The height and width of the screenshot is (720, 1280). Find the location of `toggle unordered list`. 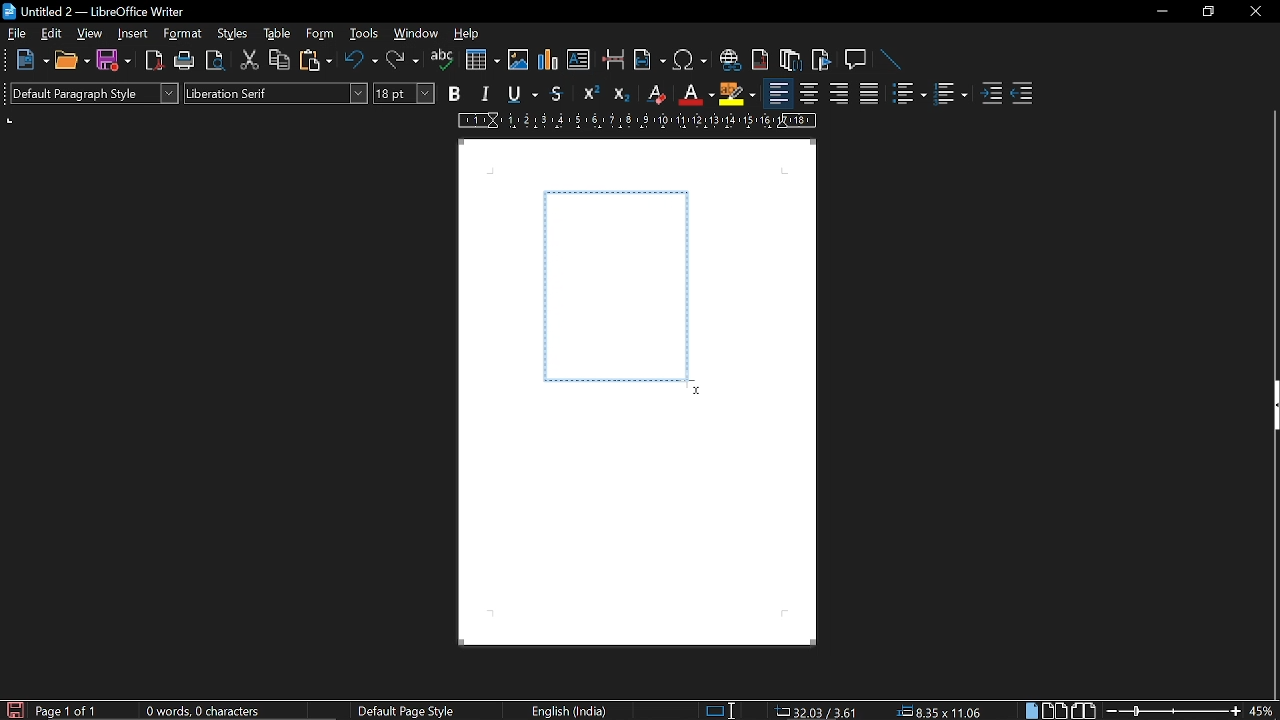

toggle unordered list is located at coordinates (908, 94).